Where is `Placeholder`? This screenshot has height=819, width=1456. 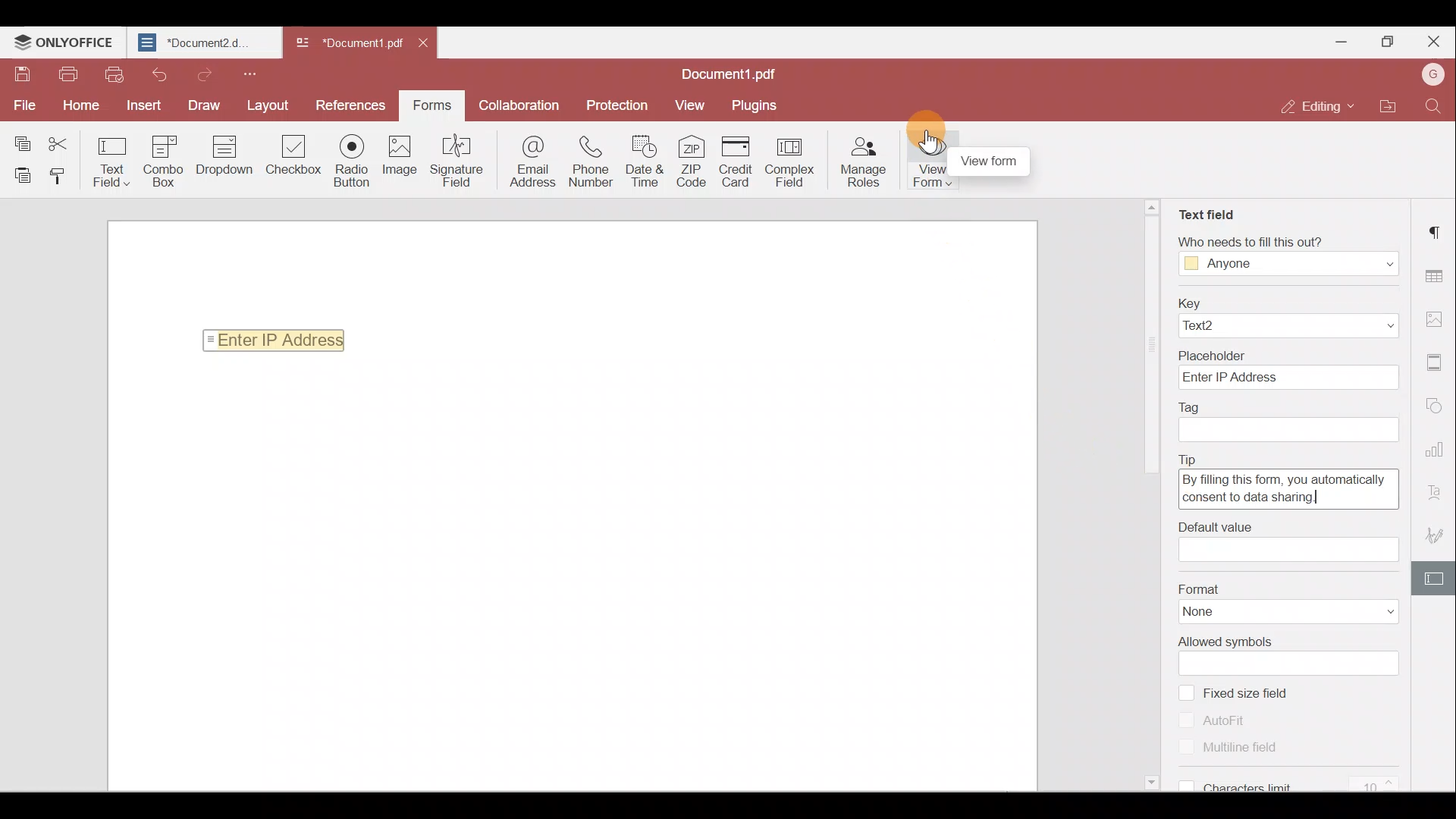
Placeholder is located at coordinates (1287, 353).